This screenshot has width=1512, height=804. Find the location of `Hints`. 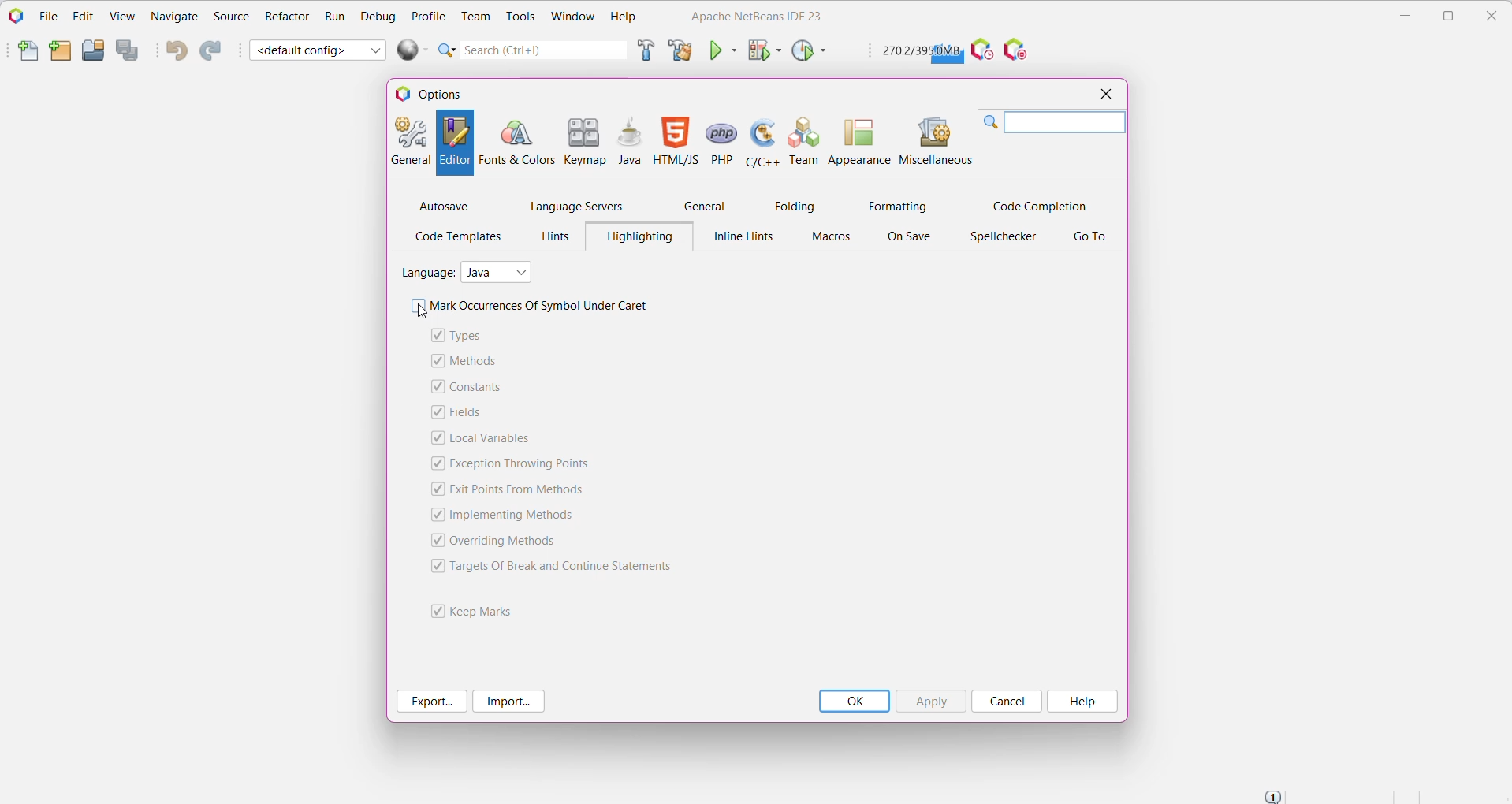

Hints is located at coordinates (552, 236).